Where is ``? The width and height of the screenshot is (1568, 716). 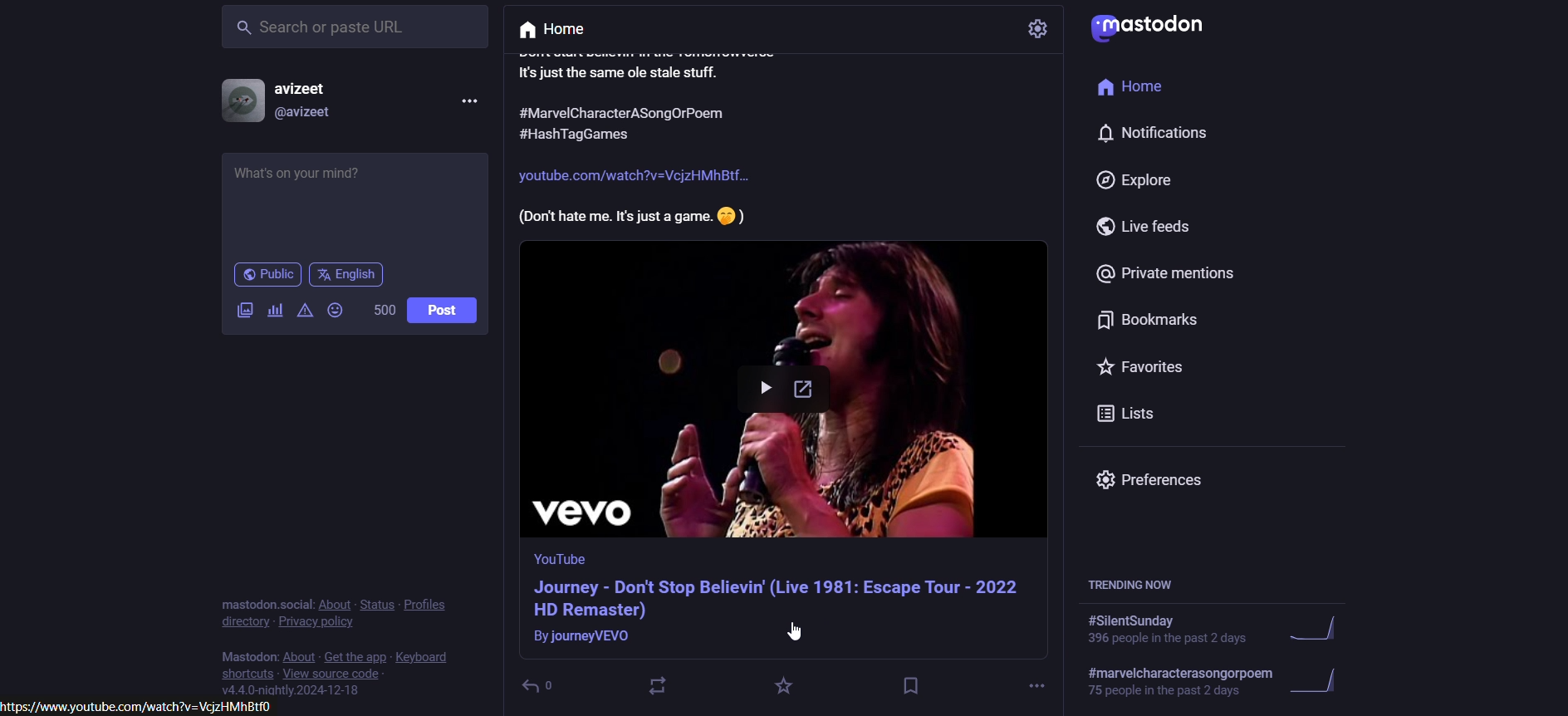
 is located at coordinates (603, 134).